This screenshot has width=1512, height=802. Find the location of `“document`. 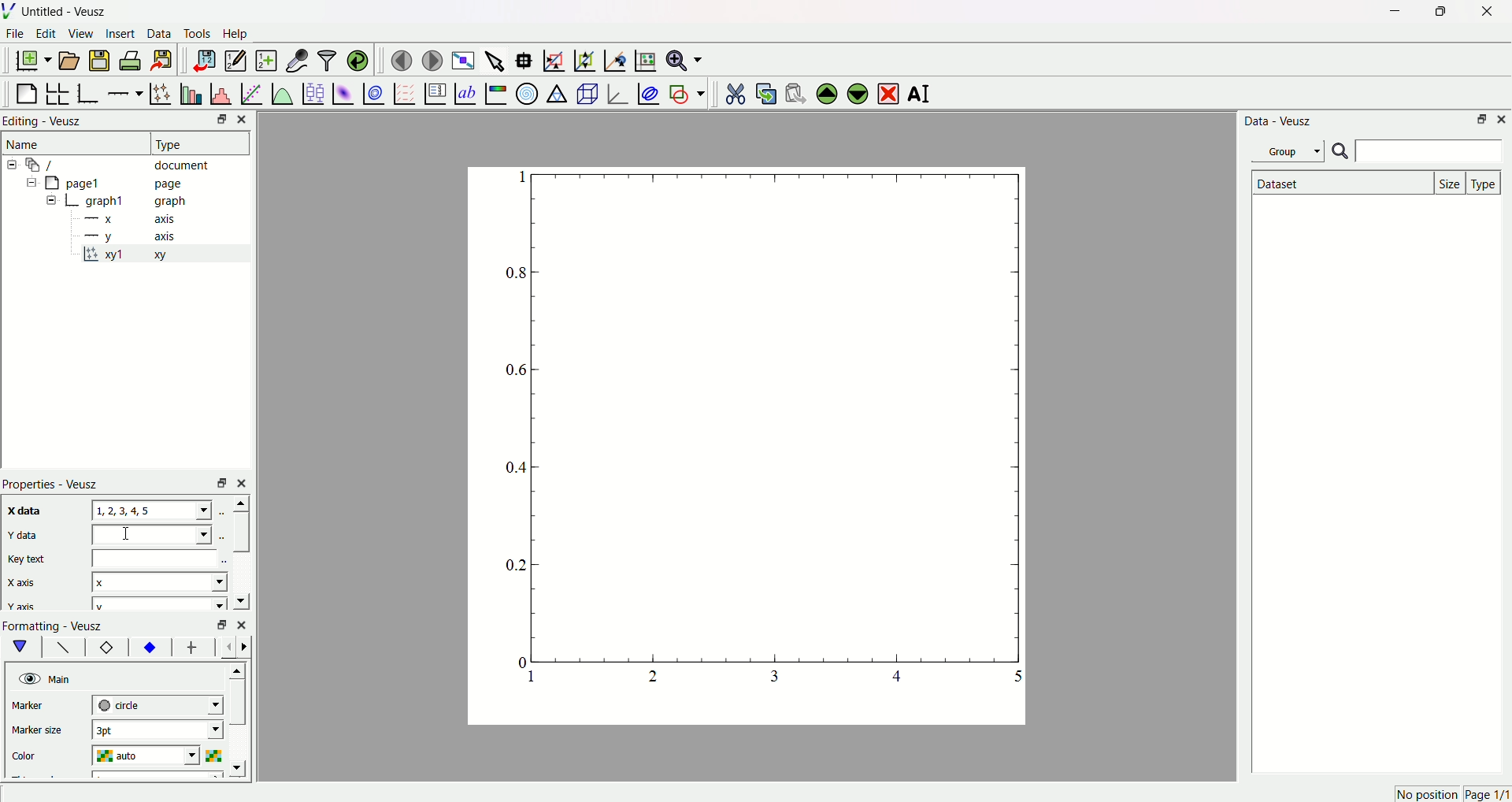

“document is located at coordinates (125, 164).